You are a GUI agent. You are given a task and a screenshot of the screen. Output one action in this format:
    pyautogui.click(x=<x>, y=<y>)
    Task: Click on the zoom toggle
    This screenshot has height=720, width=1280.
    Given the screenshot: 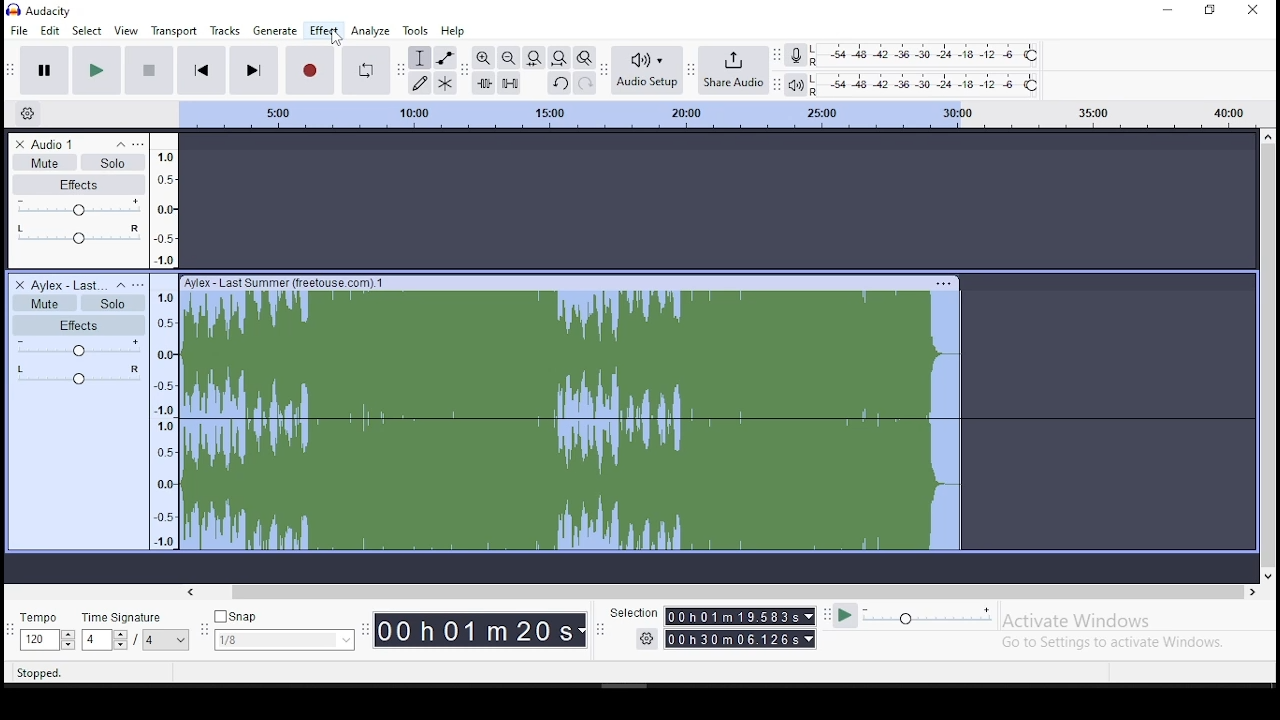 What is the action you would take?
    pyautogui.click(x=584, y=57)
    